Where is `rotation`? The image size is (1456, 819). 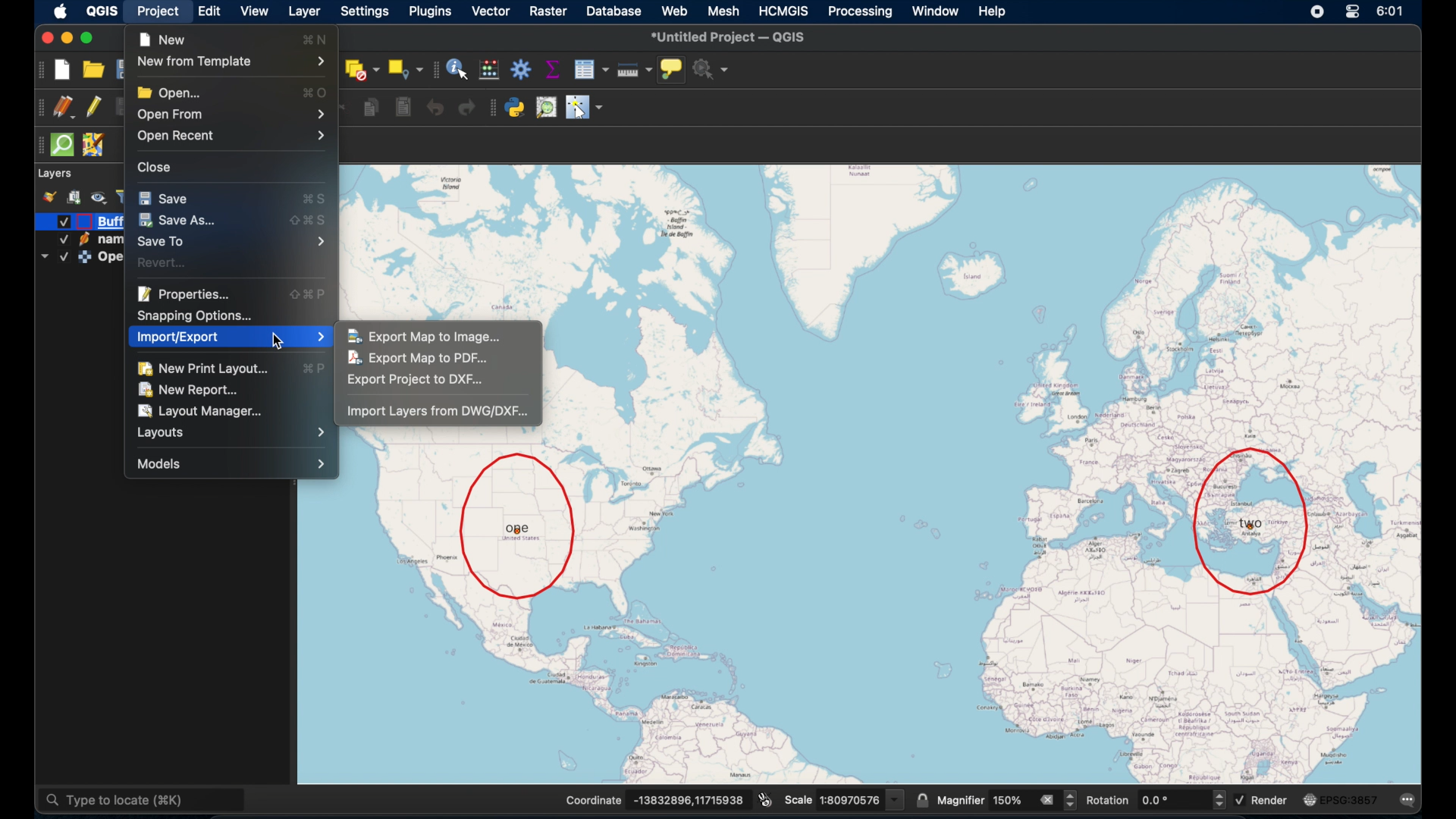
rotation is located at coordinates (1107, 801).